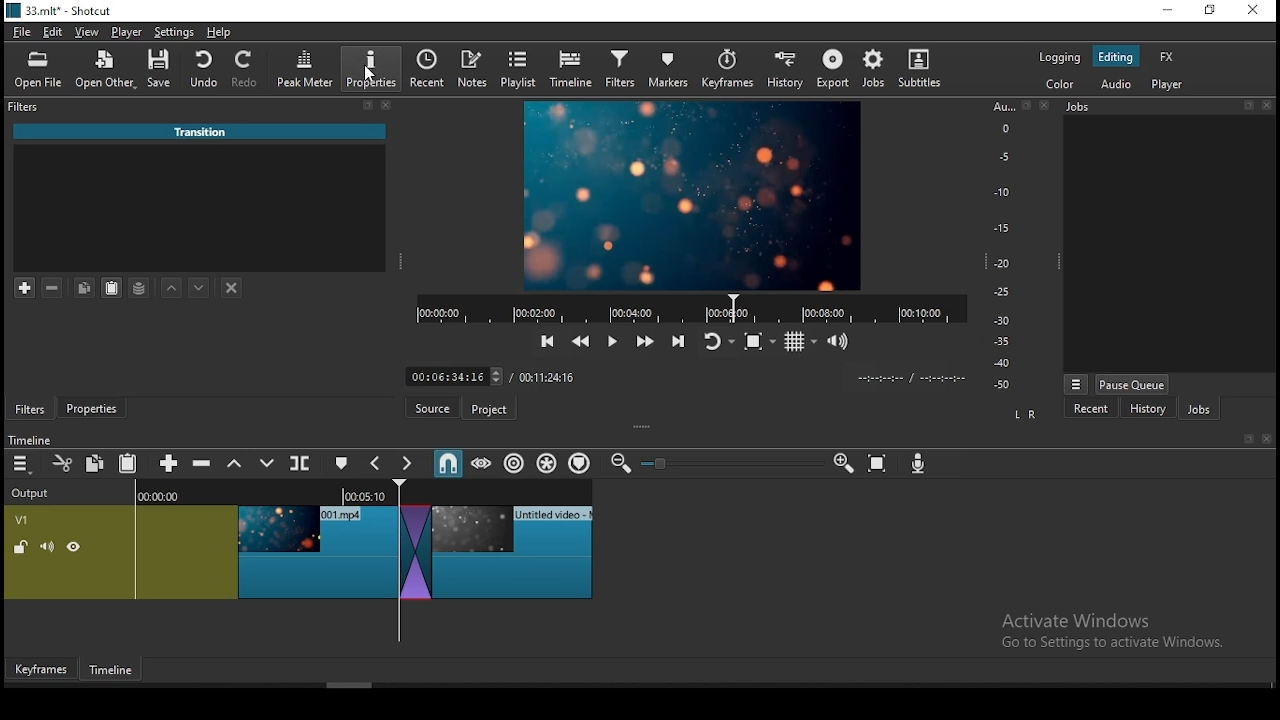 This screenshot has width=1280, height=720. I want to click on Untitled video, so click(195, 135).